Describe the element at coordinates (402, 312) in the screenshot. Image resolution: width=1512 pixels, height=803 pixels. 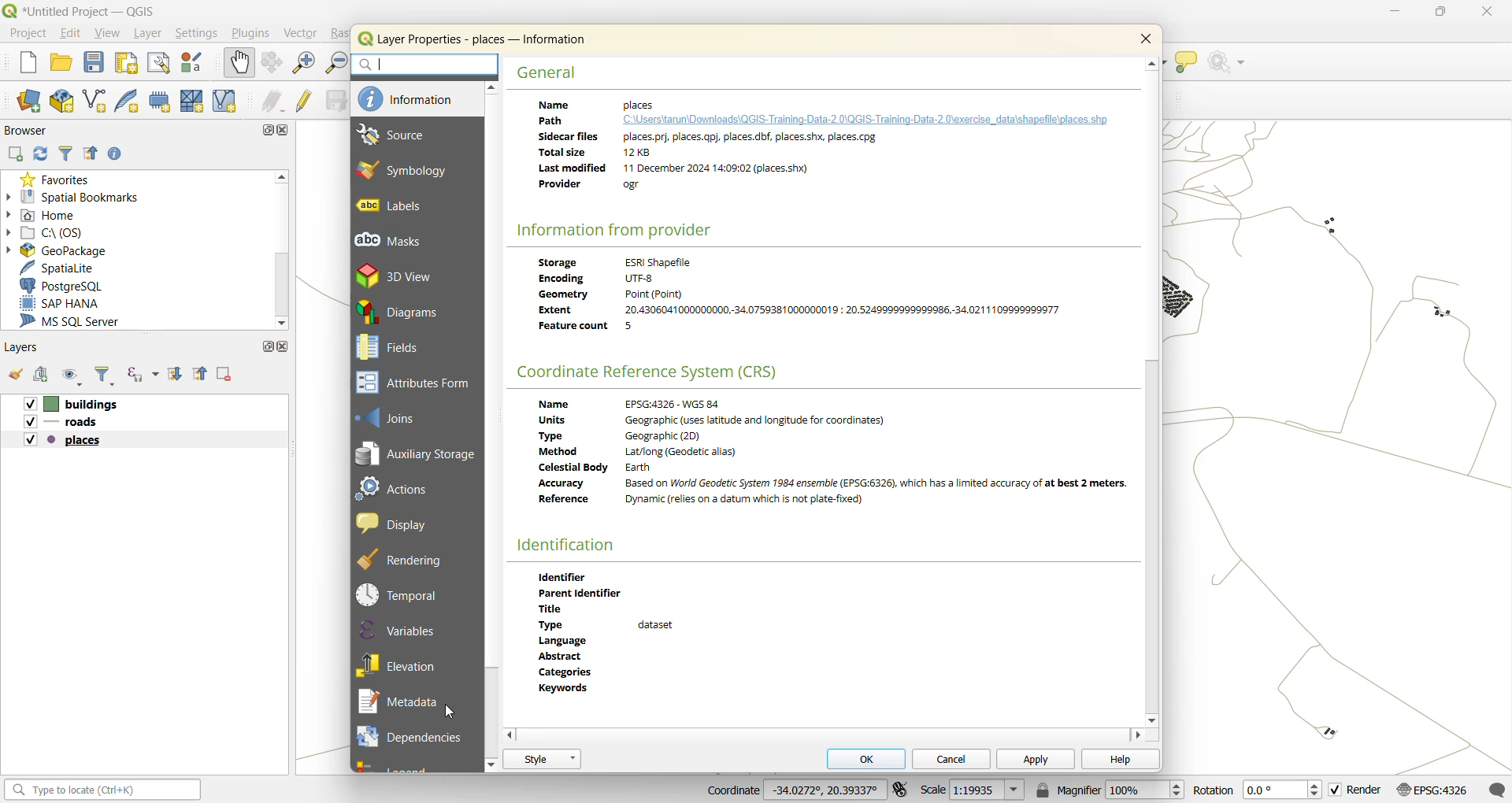
I see `diagrams` at that location.